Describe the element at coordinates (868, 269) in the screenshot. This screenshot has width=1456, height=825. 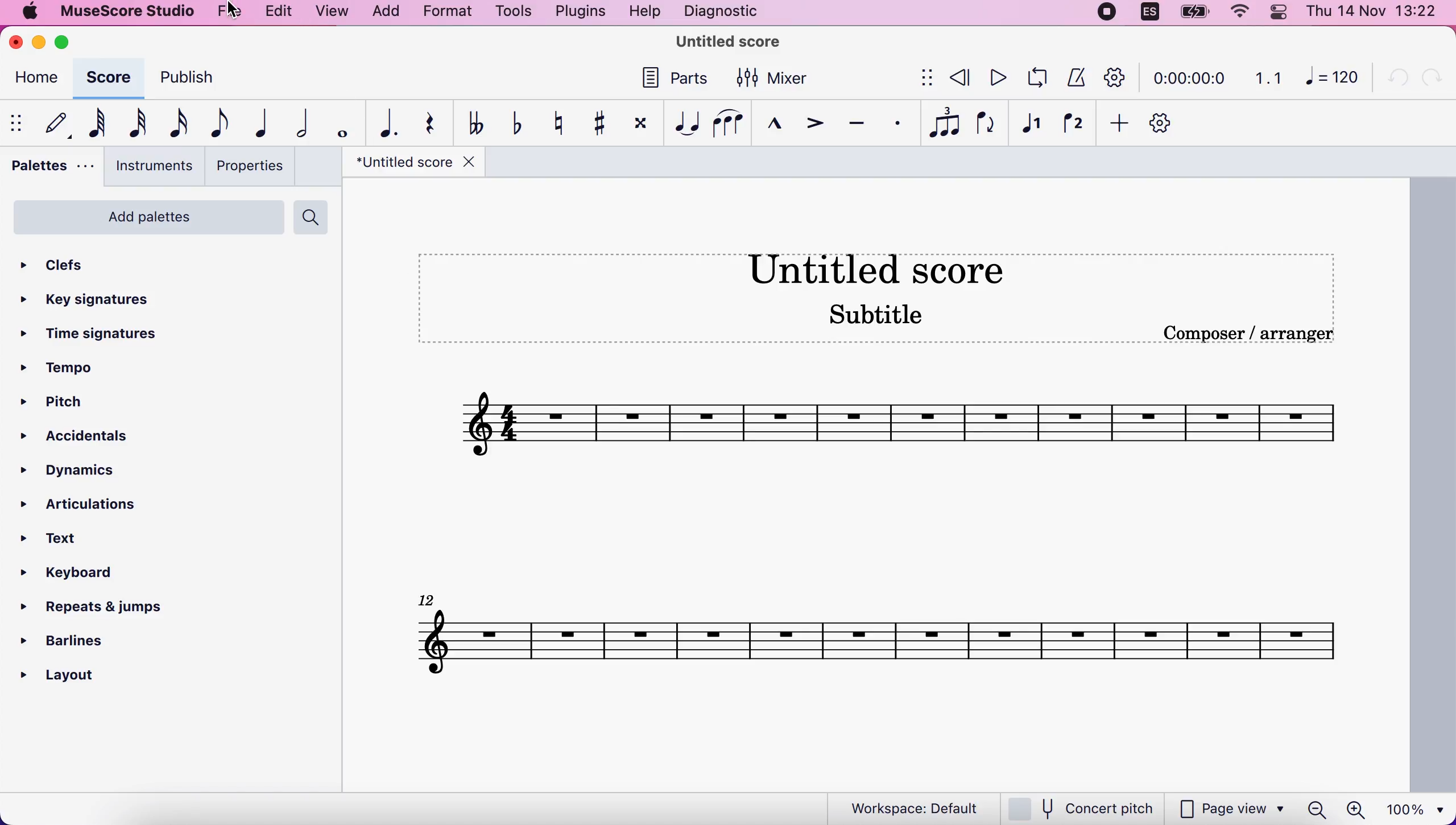
I see `Untitled score` at that location.